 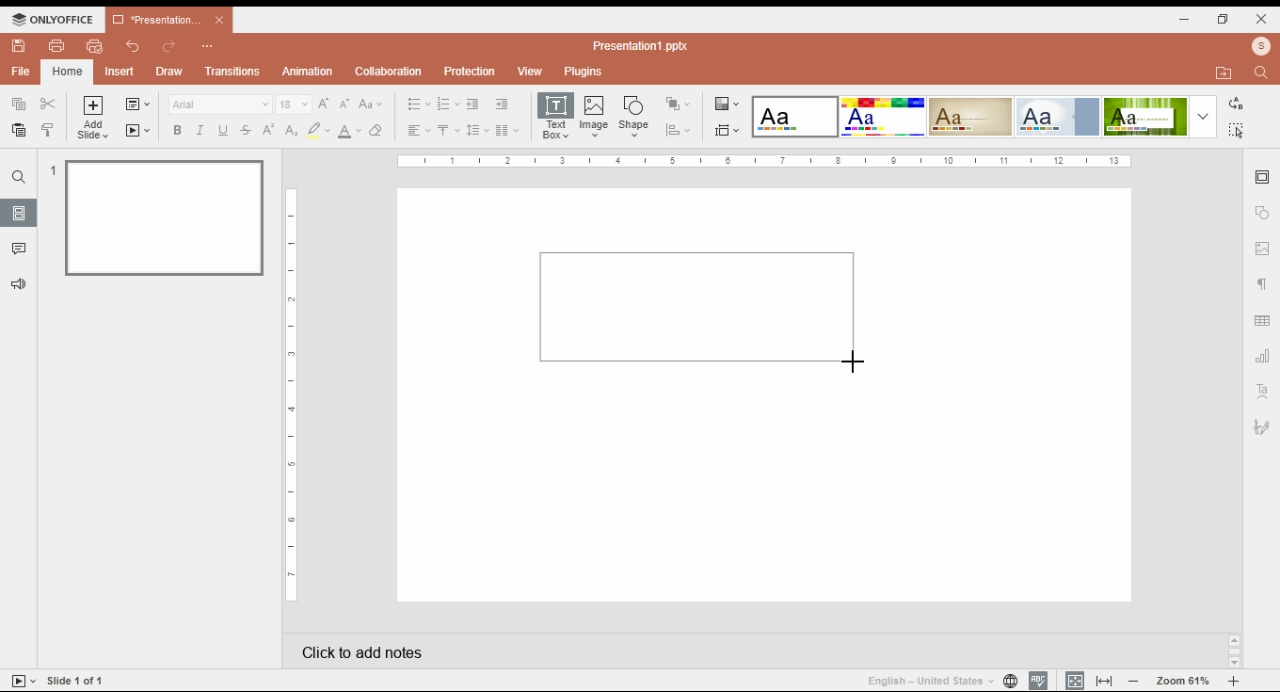 I want to click on language settings, so click(x=1009, y=681).